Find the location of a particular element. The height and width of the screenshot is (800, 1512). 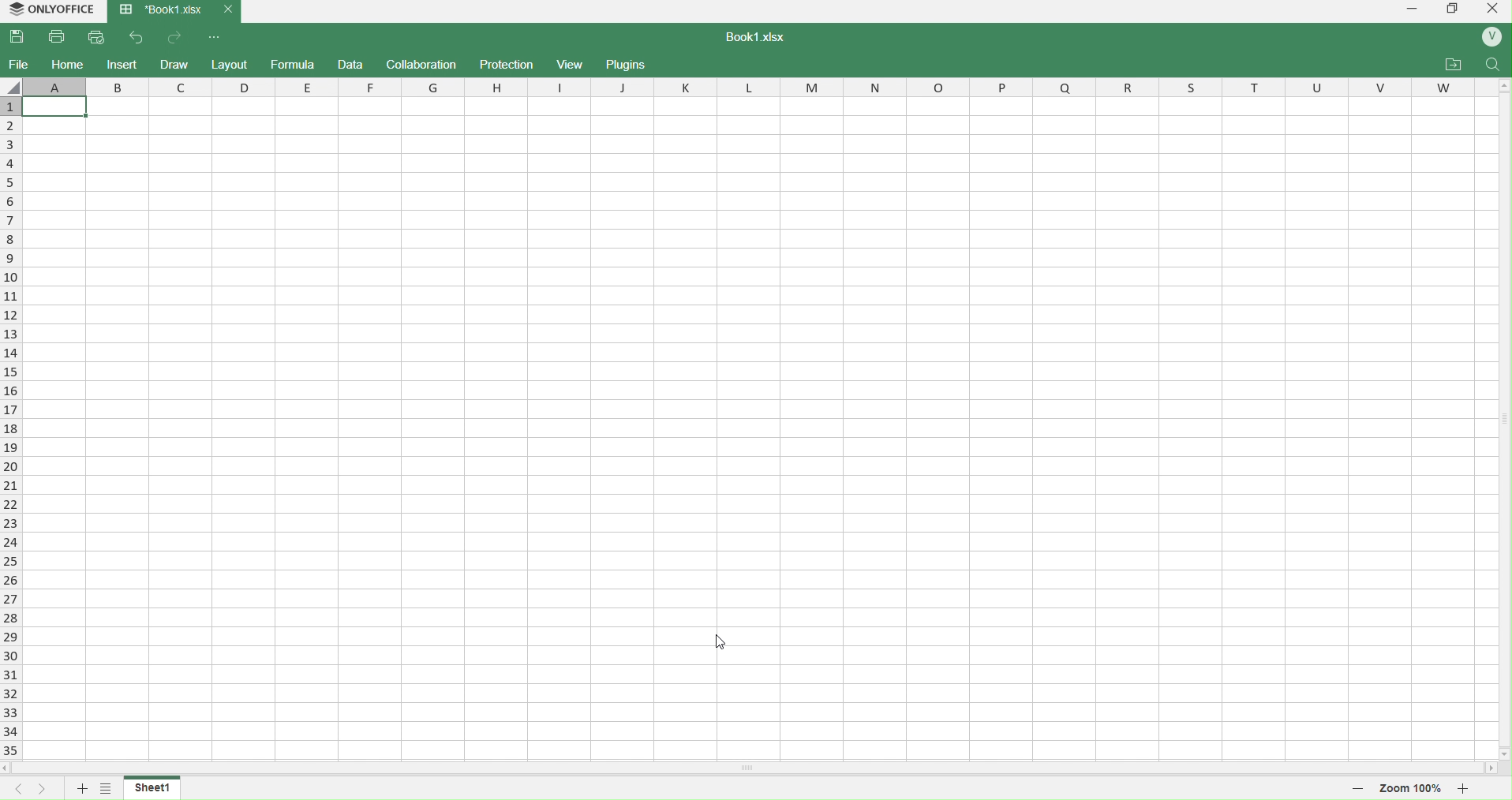

book1.xlsx is located at coordinates (764, 39).